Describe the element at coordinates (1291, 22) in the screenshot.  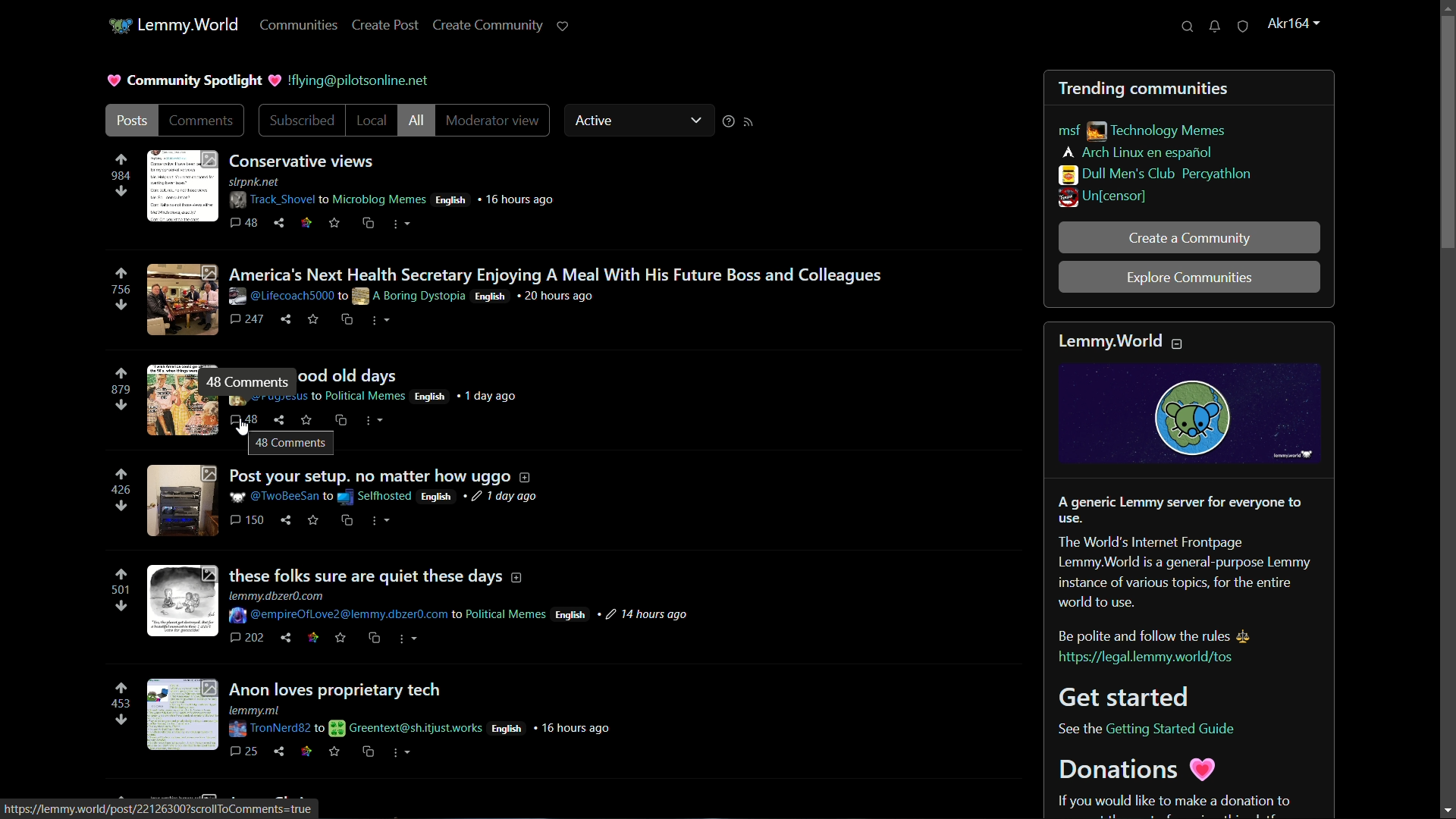
I see `profile` at that location.